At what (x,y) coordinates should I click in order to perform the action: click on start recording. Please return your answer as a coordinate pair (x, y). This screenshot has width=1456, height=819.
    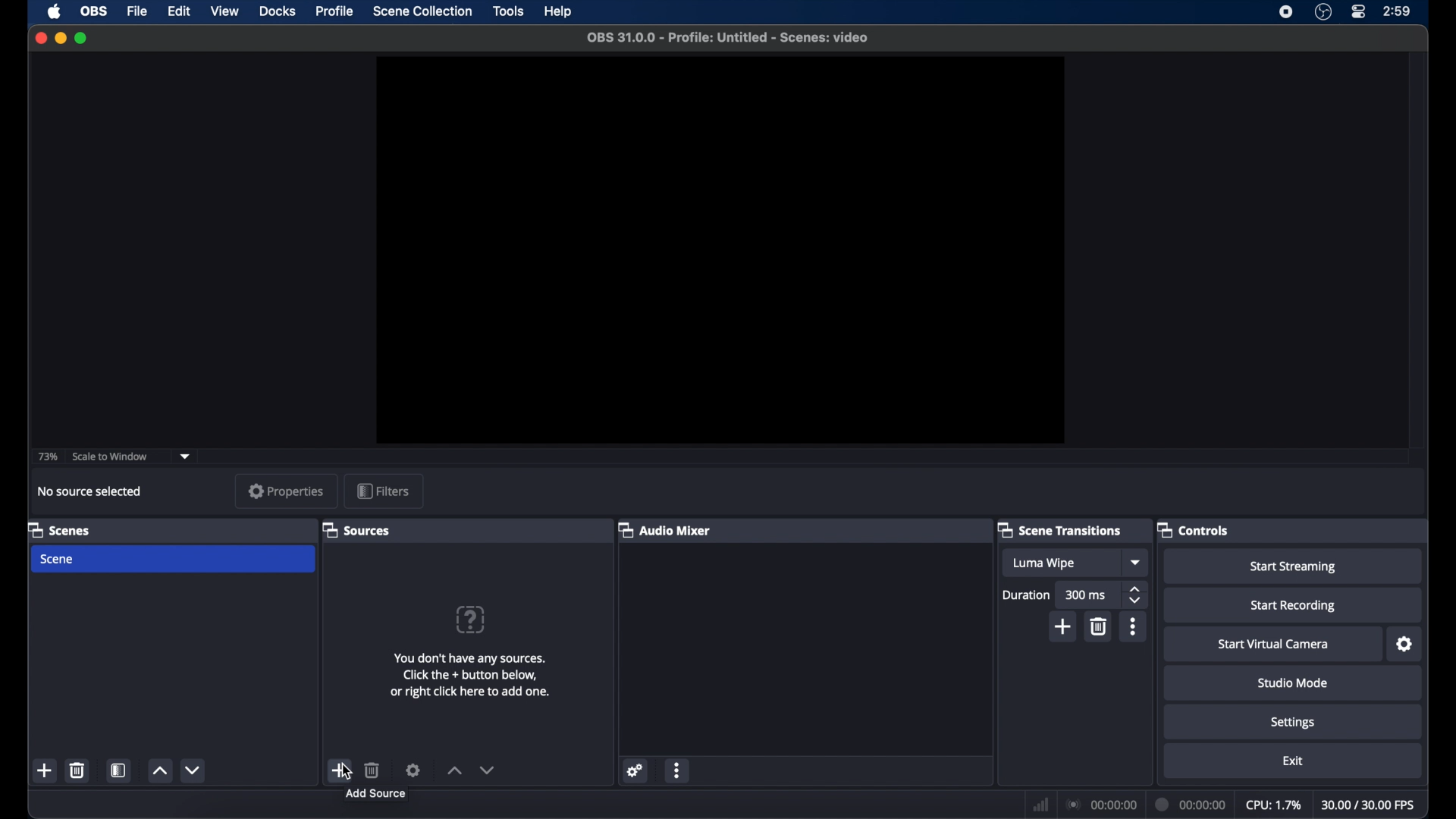
    Looking at the image, I should click on (1293, 606).